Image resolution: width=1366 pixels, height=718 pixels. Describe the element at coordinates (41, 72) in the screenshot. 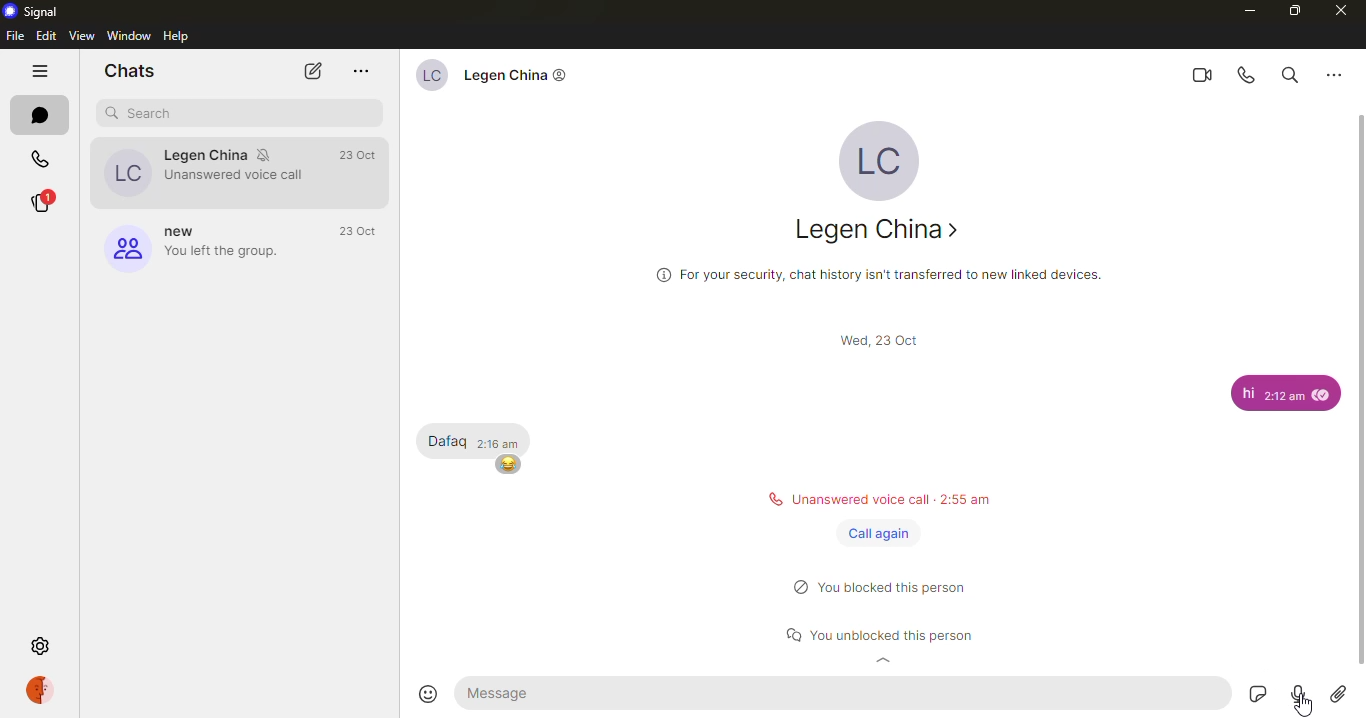

I see `hide tabs` at that location.